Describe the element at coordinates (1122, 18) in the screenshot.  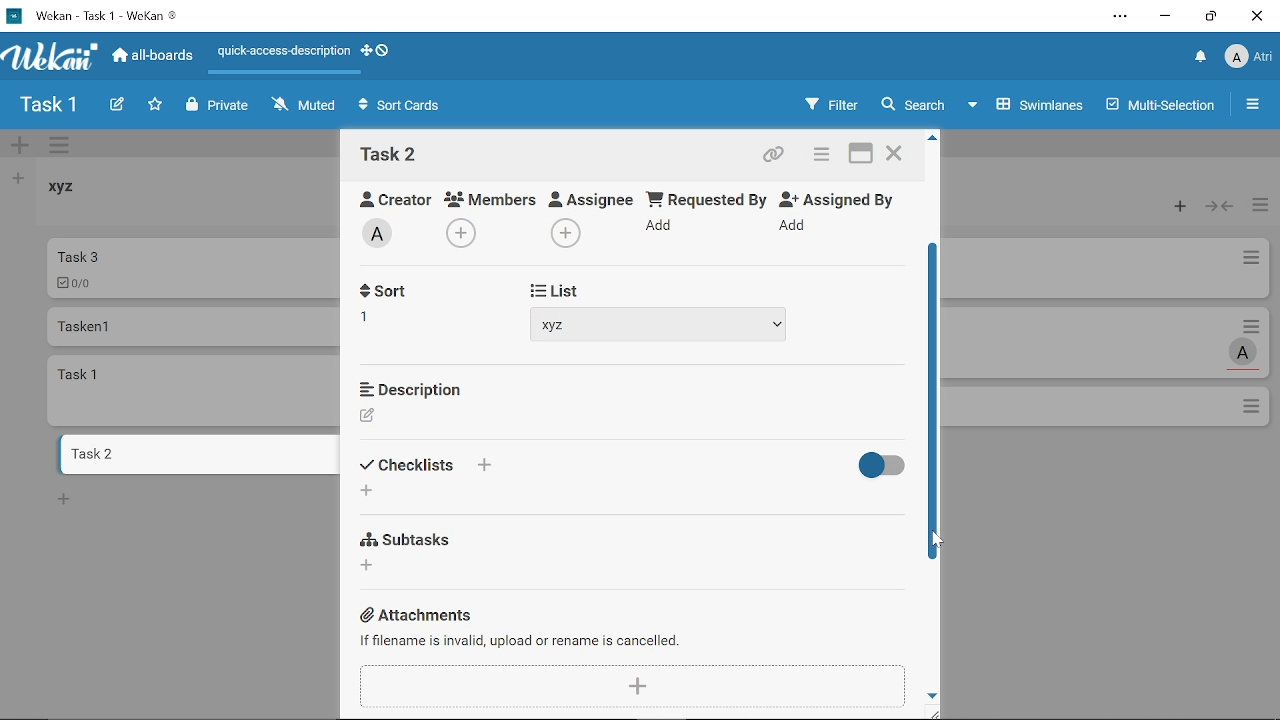
I see `Settings and other options` at that location.